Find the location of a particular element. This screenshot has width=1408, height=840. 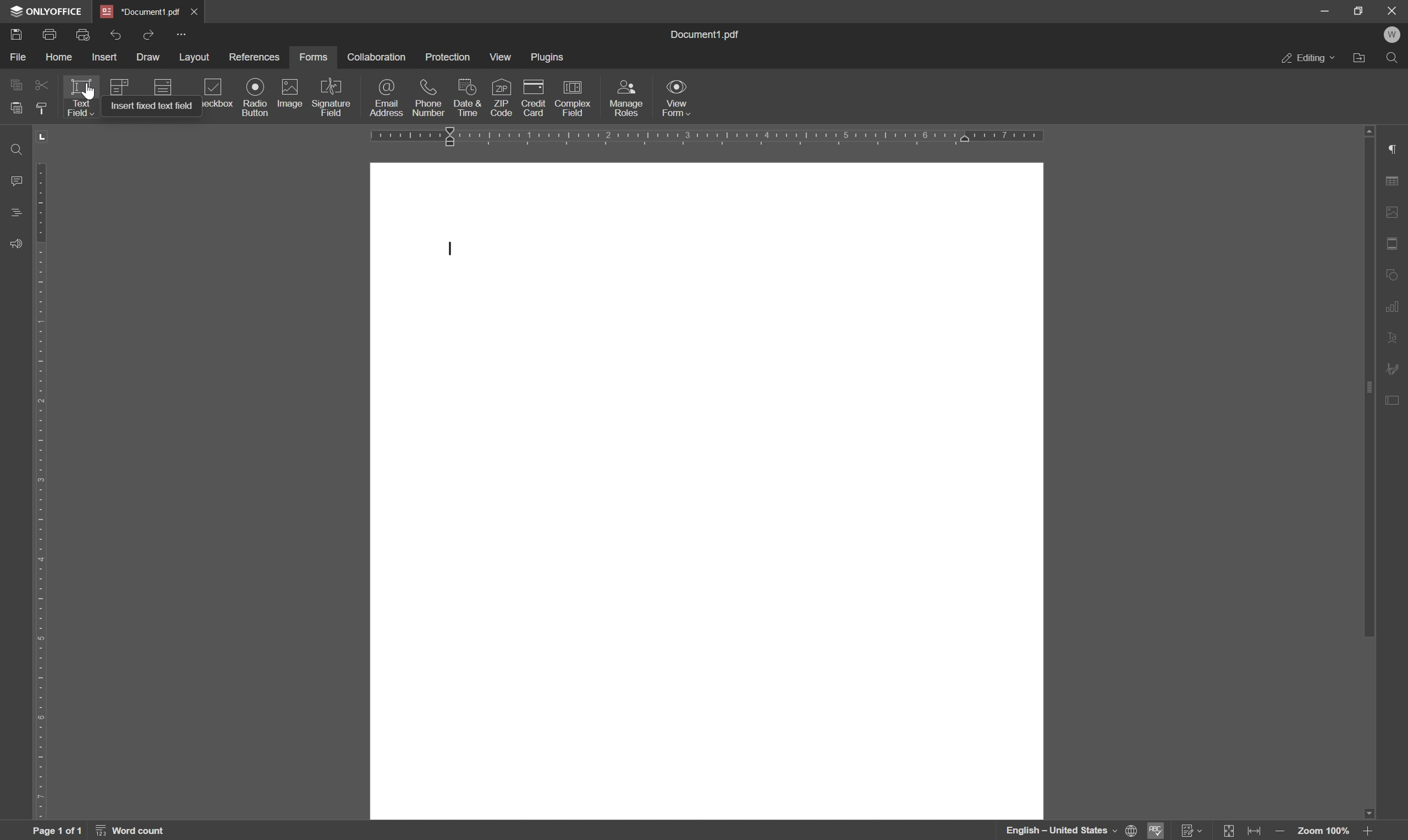

collaboration is located at coordinates (375, 57).